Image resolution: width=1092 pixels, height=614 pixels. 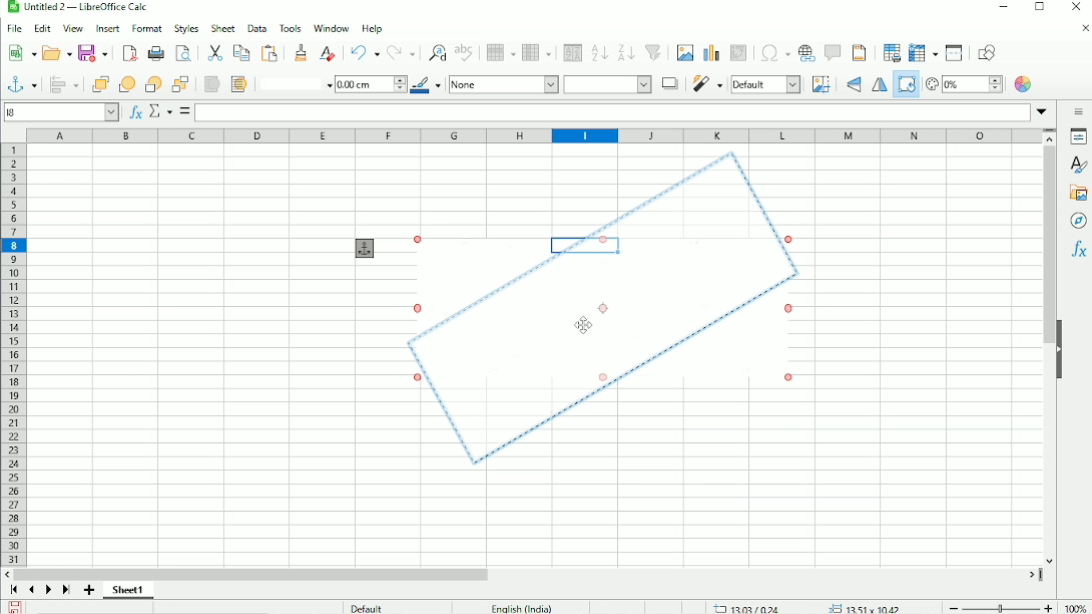 I want to click on Line color, so click(x=426, y=84).